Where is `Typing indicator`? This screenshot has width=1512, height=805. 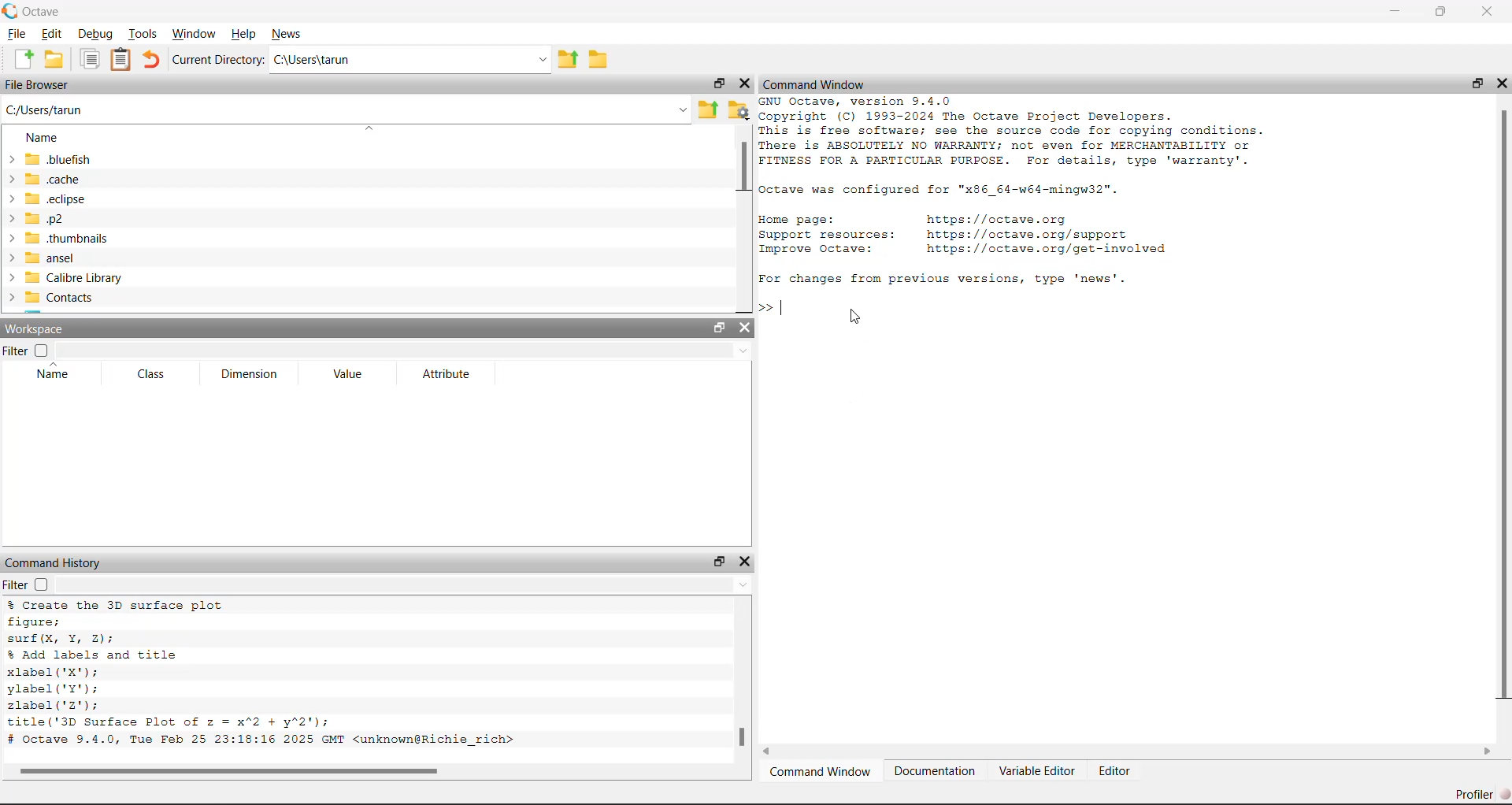
Typing indicator is located at coordinates (779, 310).